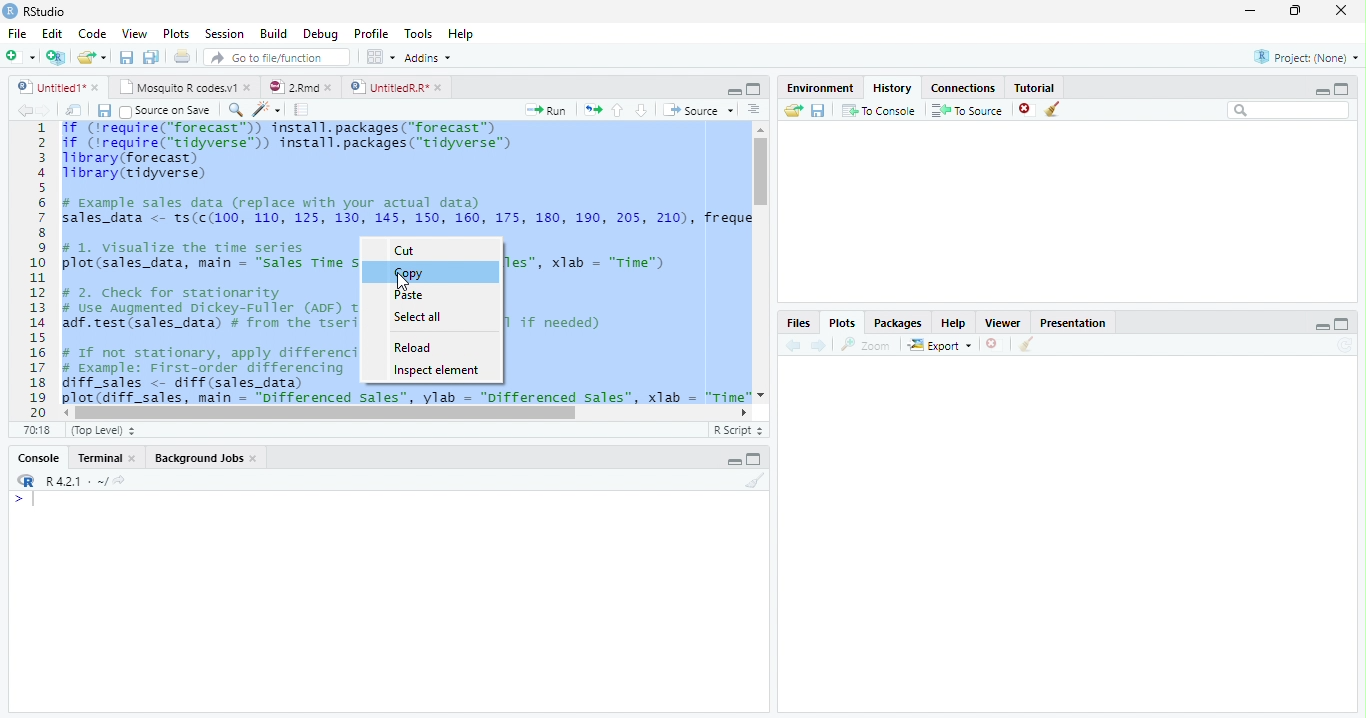  Describe the element at coordinates (421, 318) in the screenshot. I see `Select all` at that location.